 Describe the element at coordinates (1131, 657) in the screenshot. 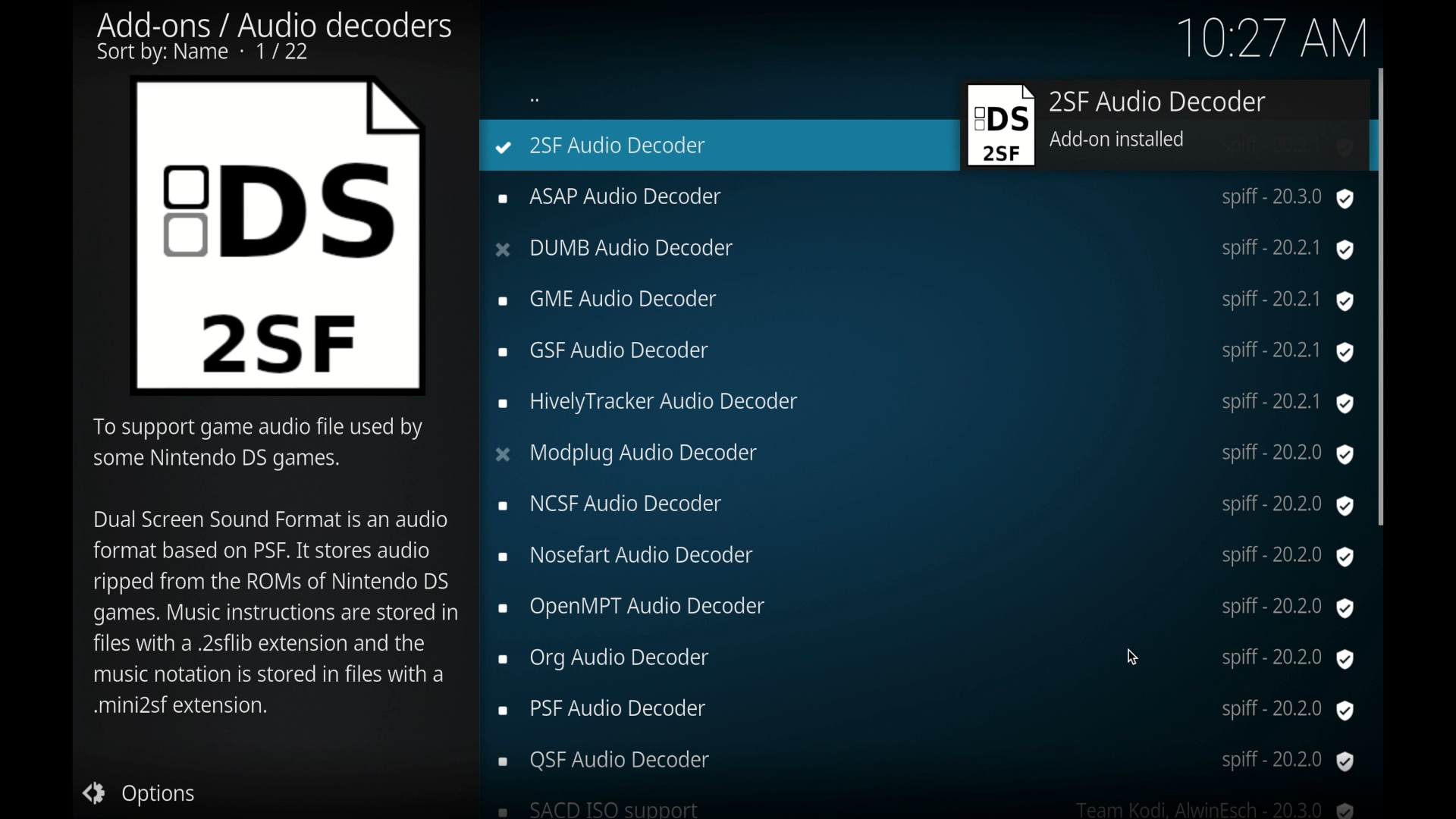

I see `cursor` at that location.